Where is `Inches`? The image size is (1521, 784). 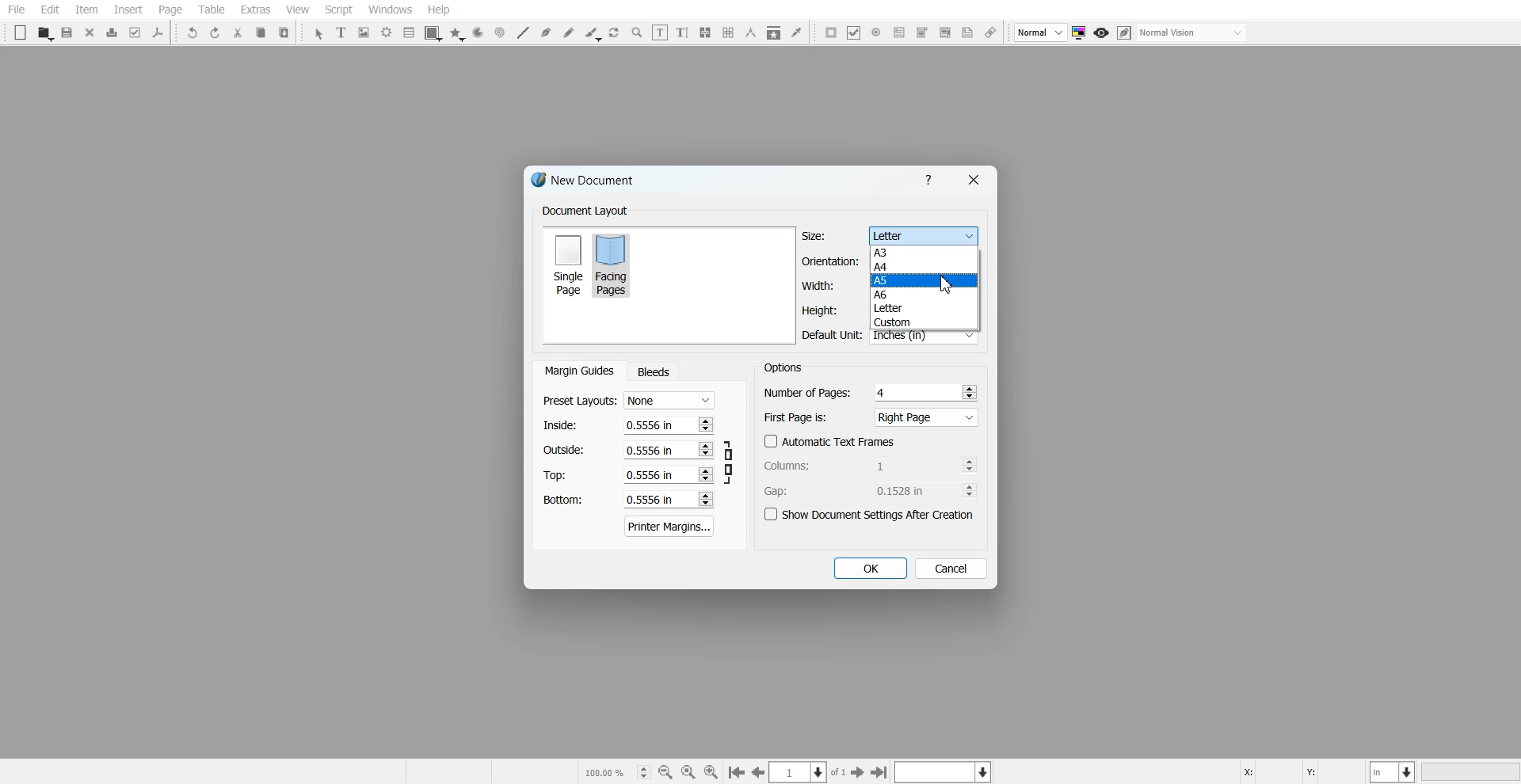 Inches is located at coordinates (924, 337).